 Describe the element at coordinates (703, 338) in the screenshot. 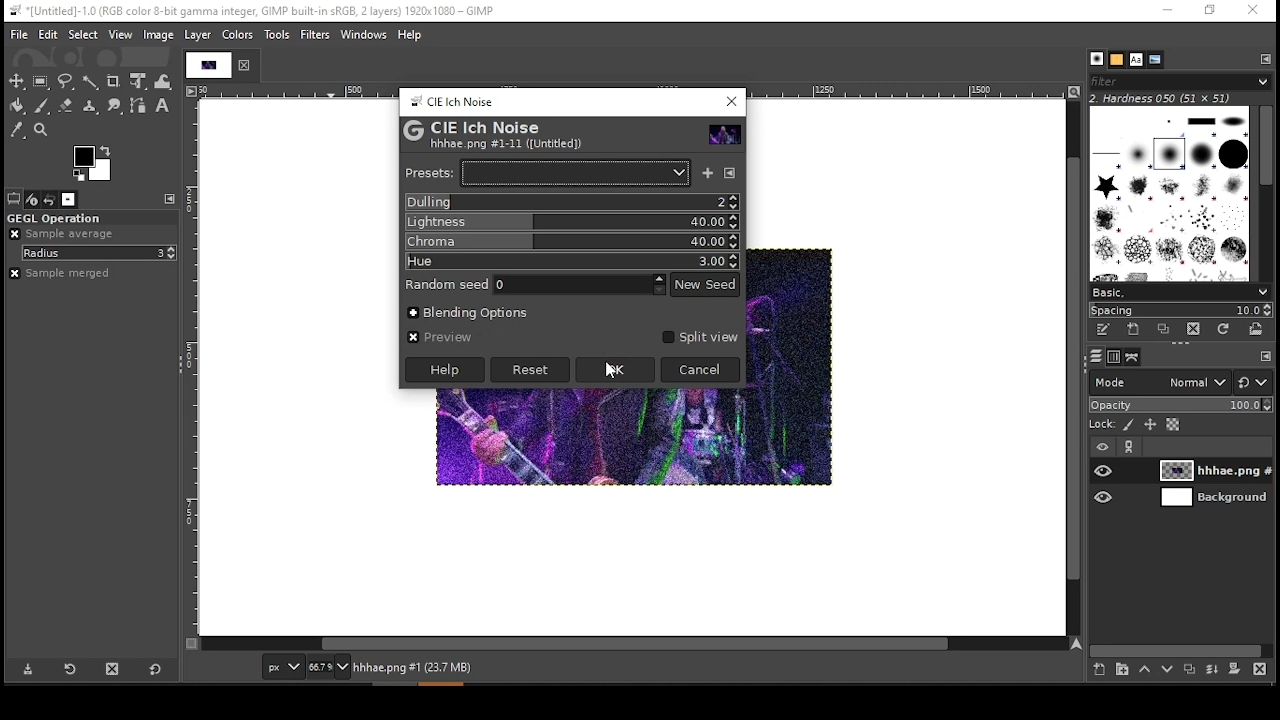

I see `split view` at that location.